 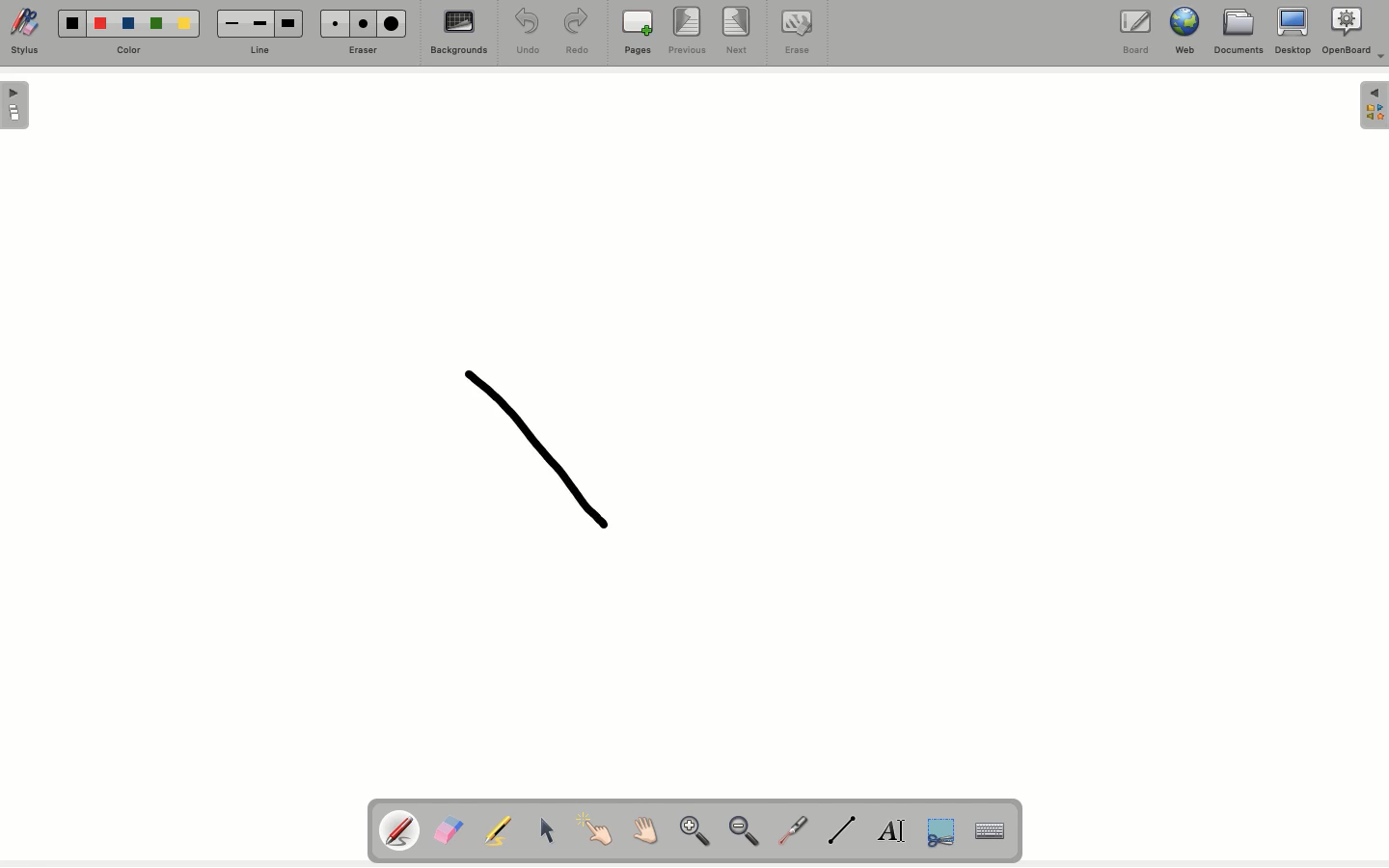 What do you see at coordinates (259, 24) in the screenshot?
I see `Medium` at bounding box center [259, 24].